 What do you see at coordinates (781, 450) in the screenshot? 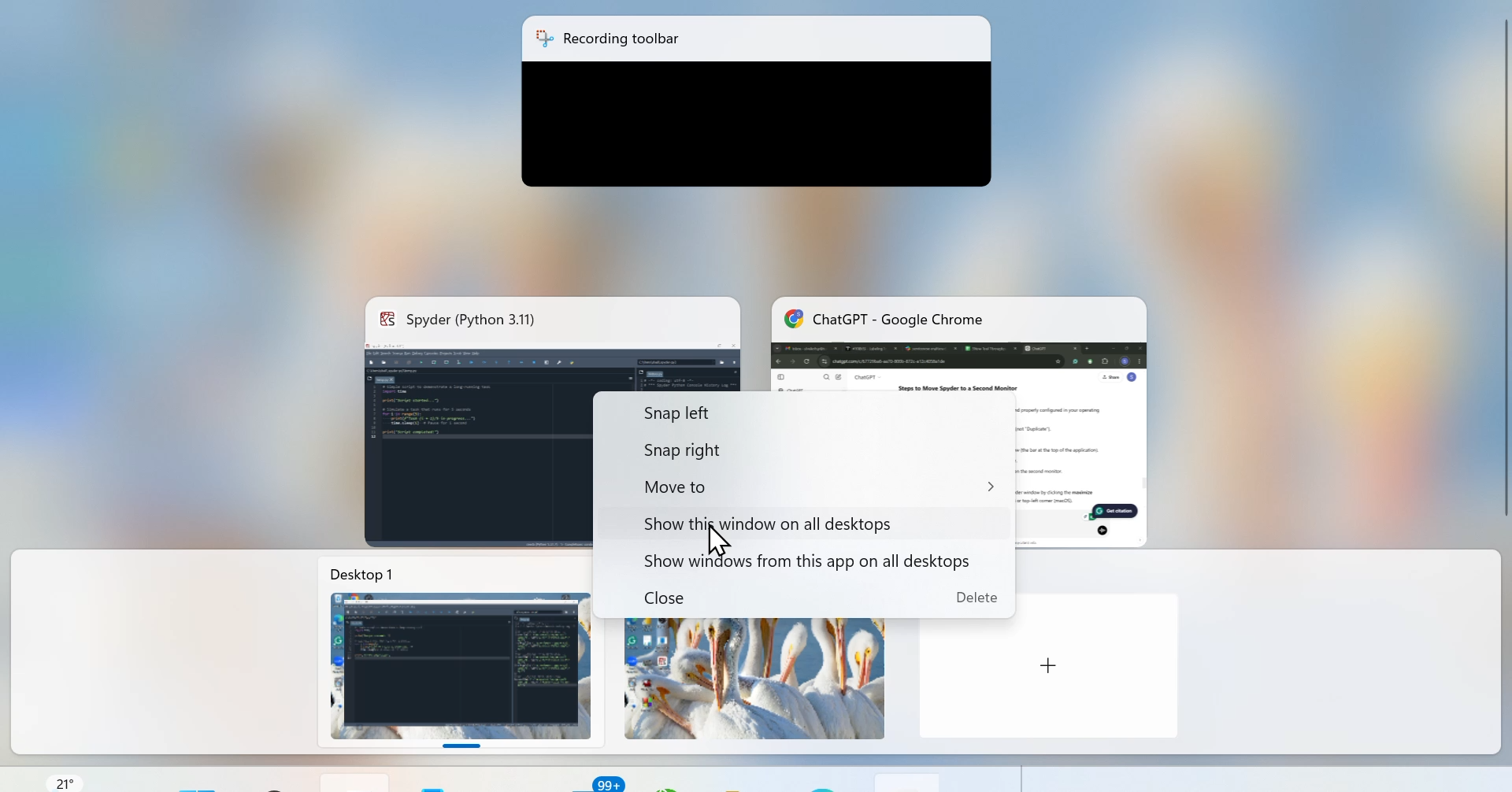
I see `Snap right` at bounding box center [781, 450].